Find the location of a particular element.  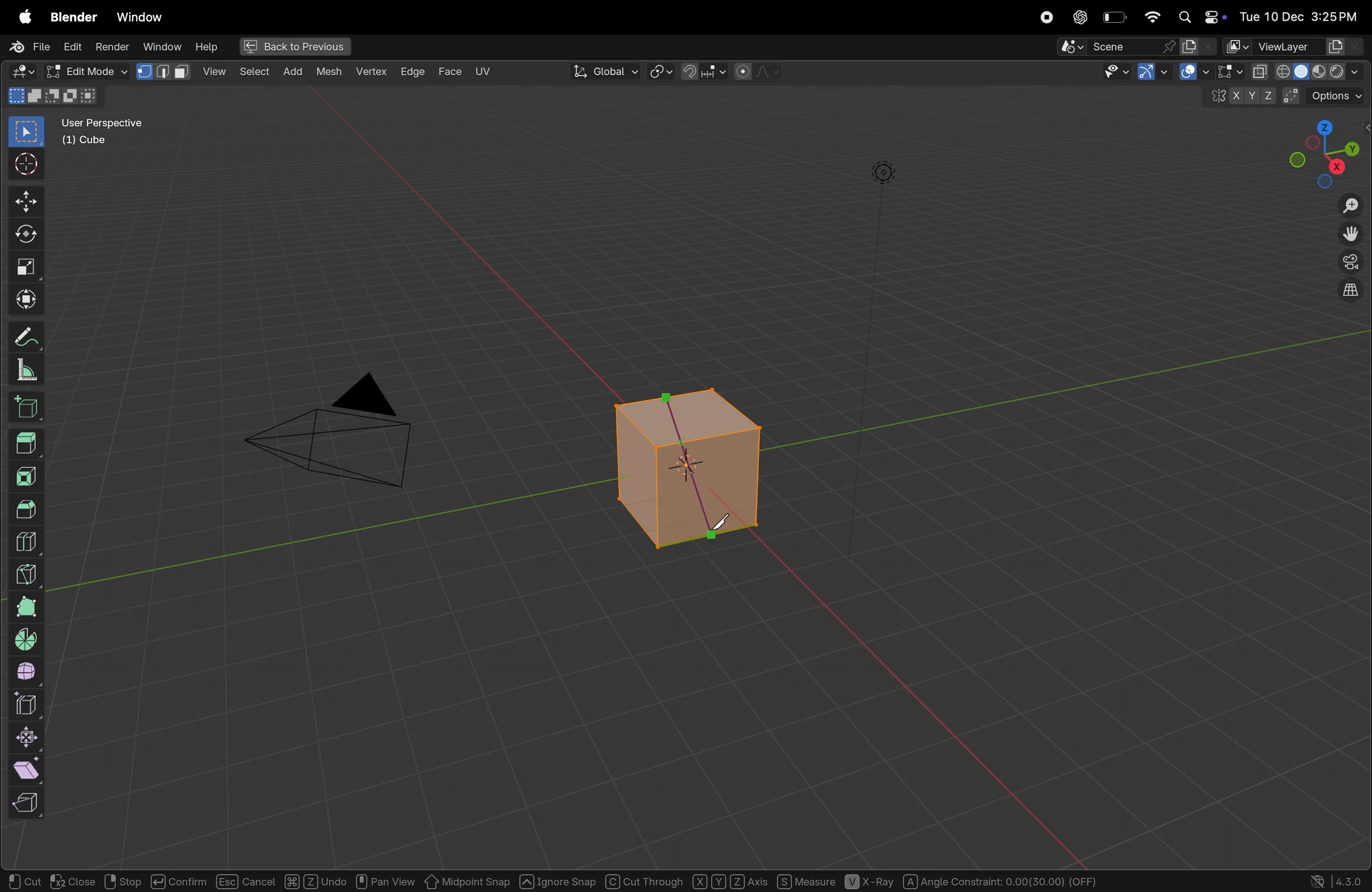

Wifi is located at coordinates (1150, 17).